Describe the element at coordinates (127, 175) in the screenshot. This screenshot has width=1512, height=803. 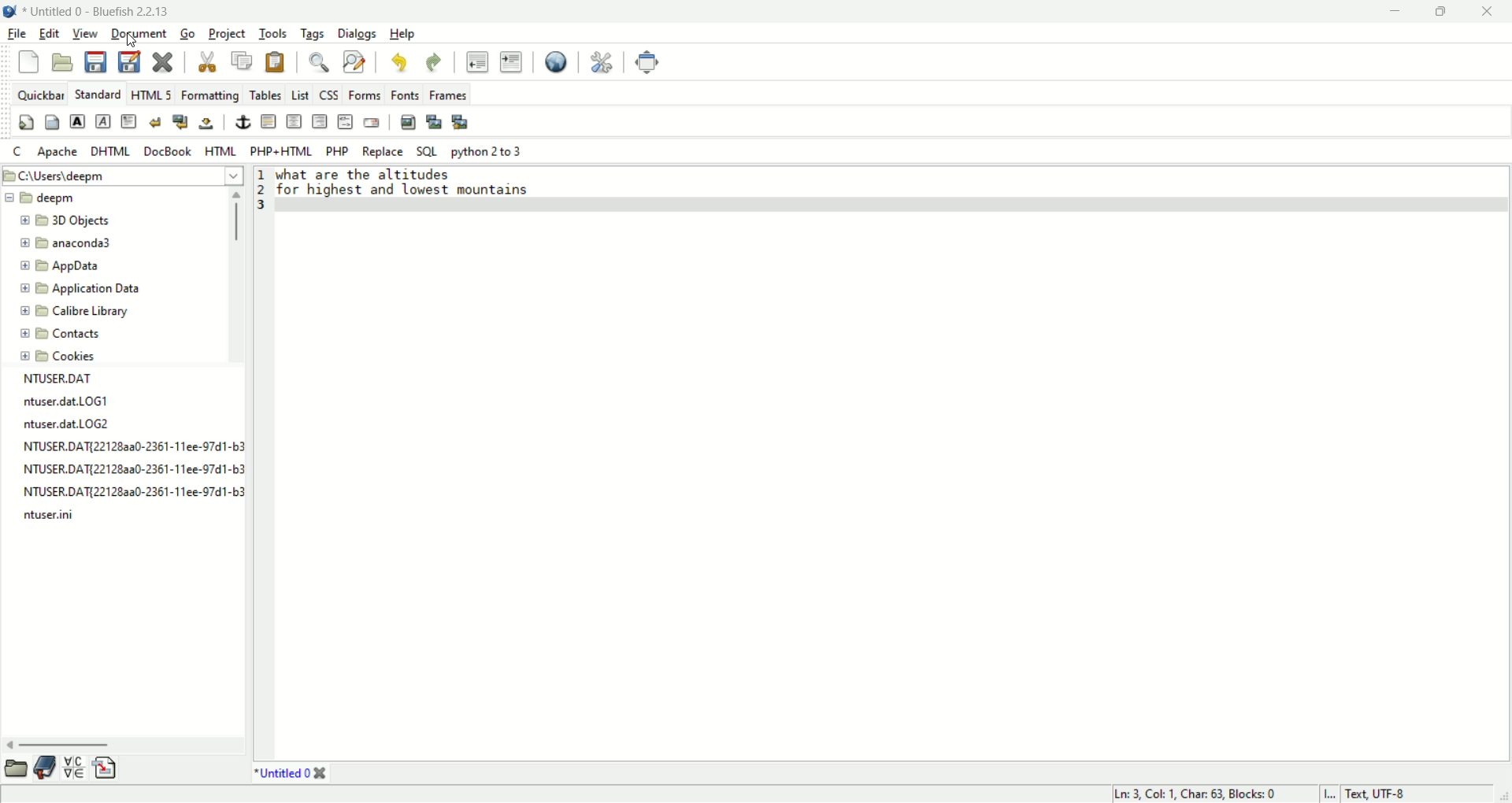
I see `location` at that location.